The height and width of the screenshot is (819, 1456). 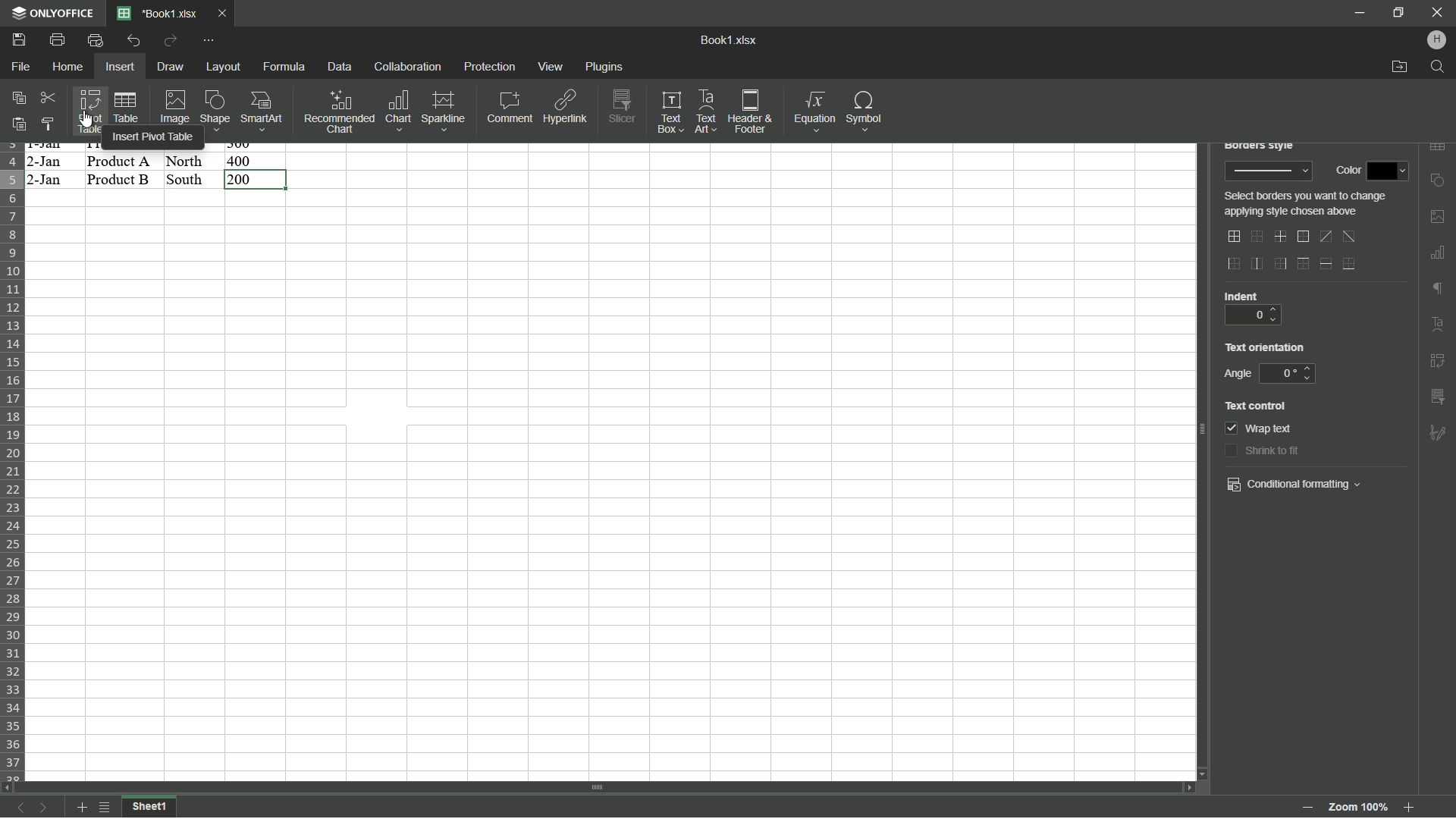 What do you see at coordinates (170, 65) in the screenshot?
I see `Draw` at bounding box center [170, 65].